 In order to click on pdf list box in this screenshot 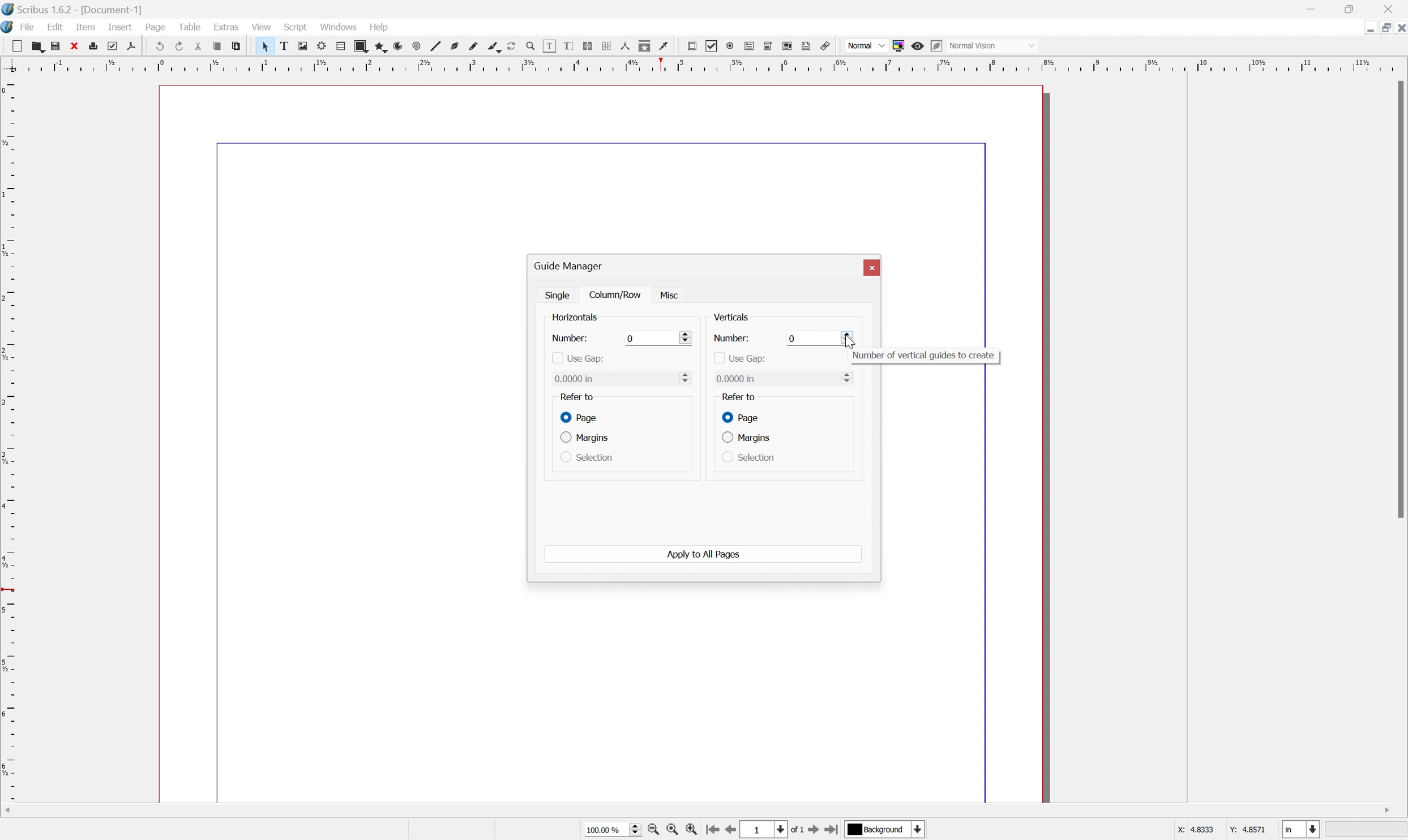, I will do `click(788, 46)`.